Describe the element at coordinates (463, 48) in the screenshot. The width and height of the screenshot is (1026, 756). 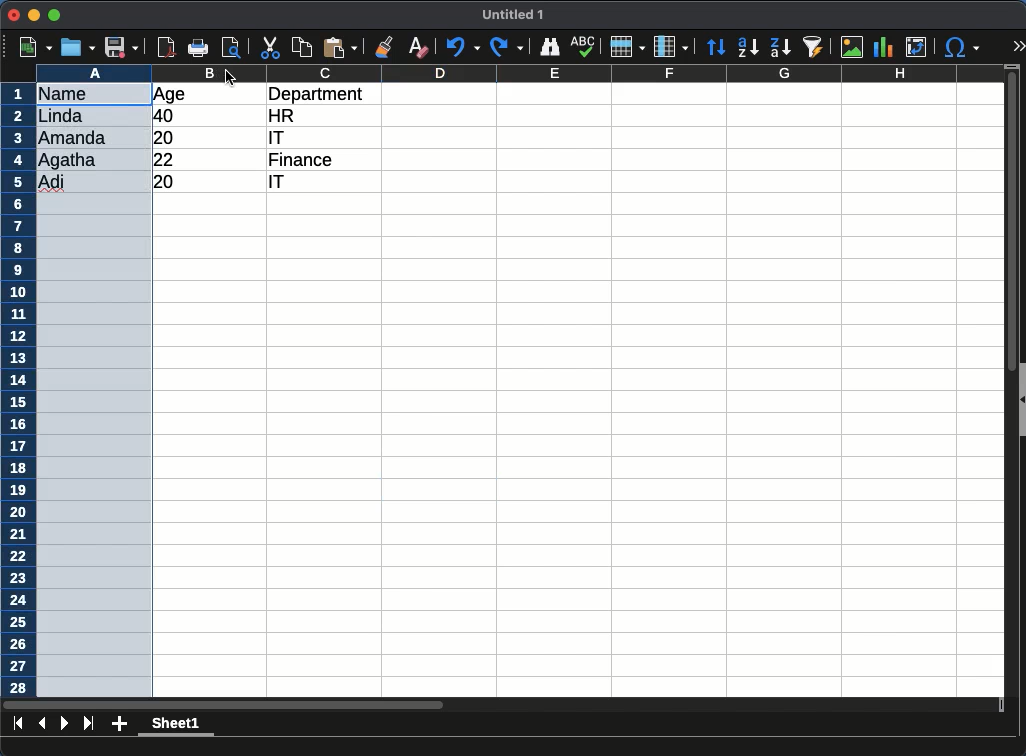
I see `undo` at that location.